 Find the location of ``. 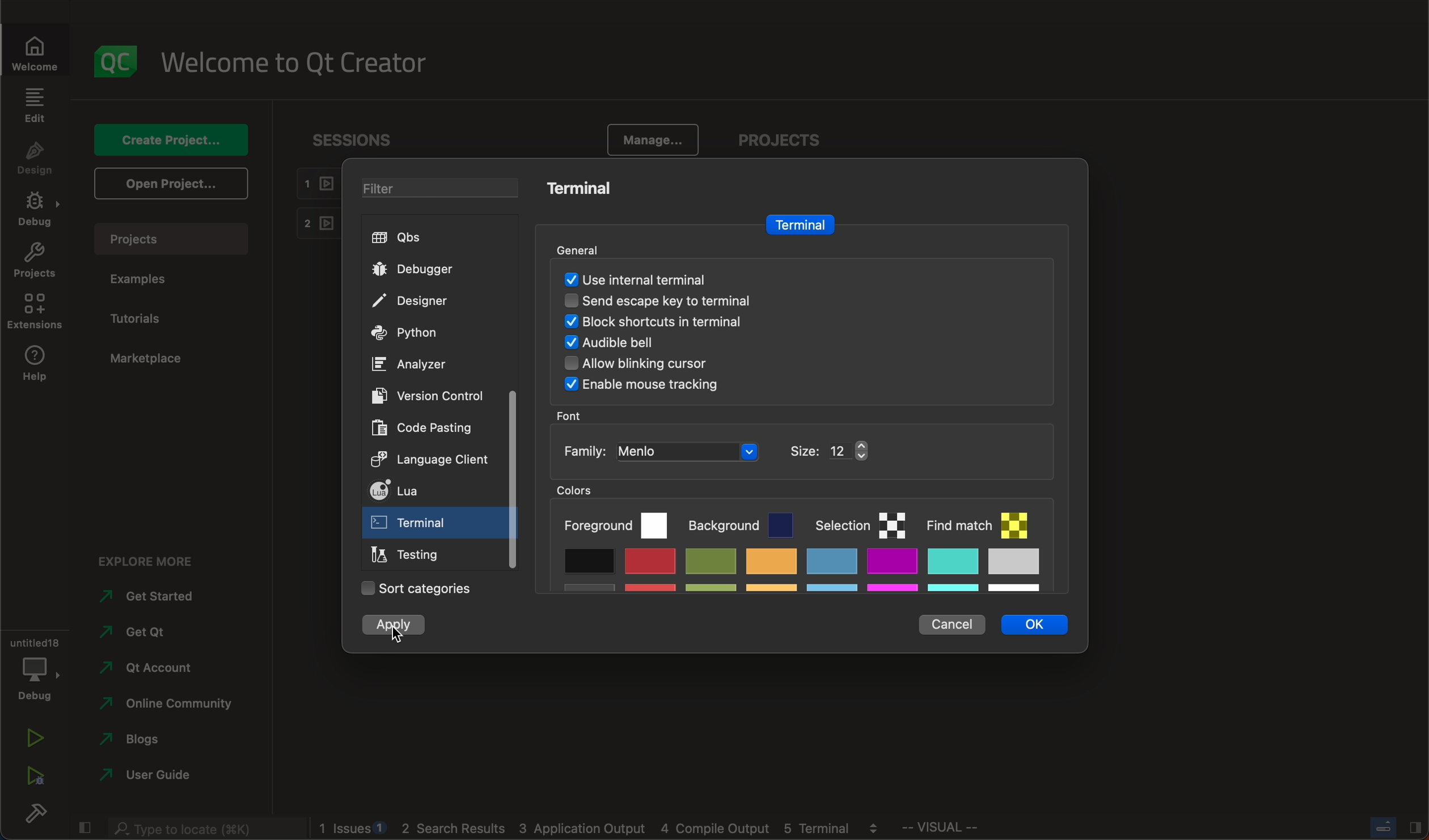

 is located at coordinates (655, 365).